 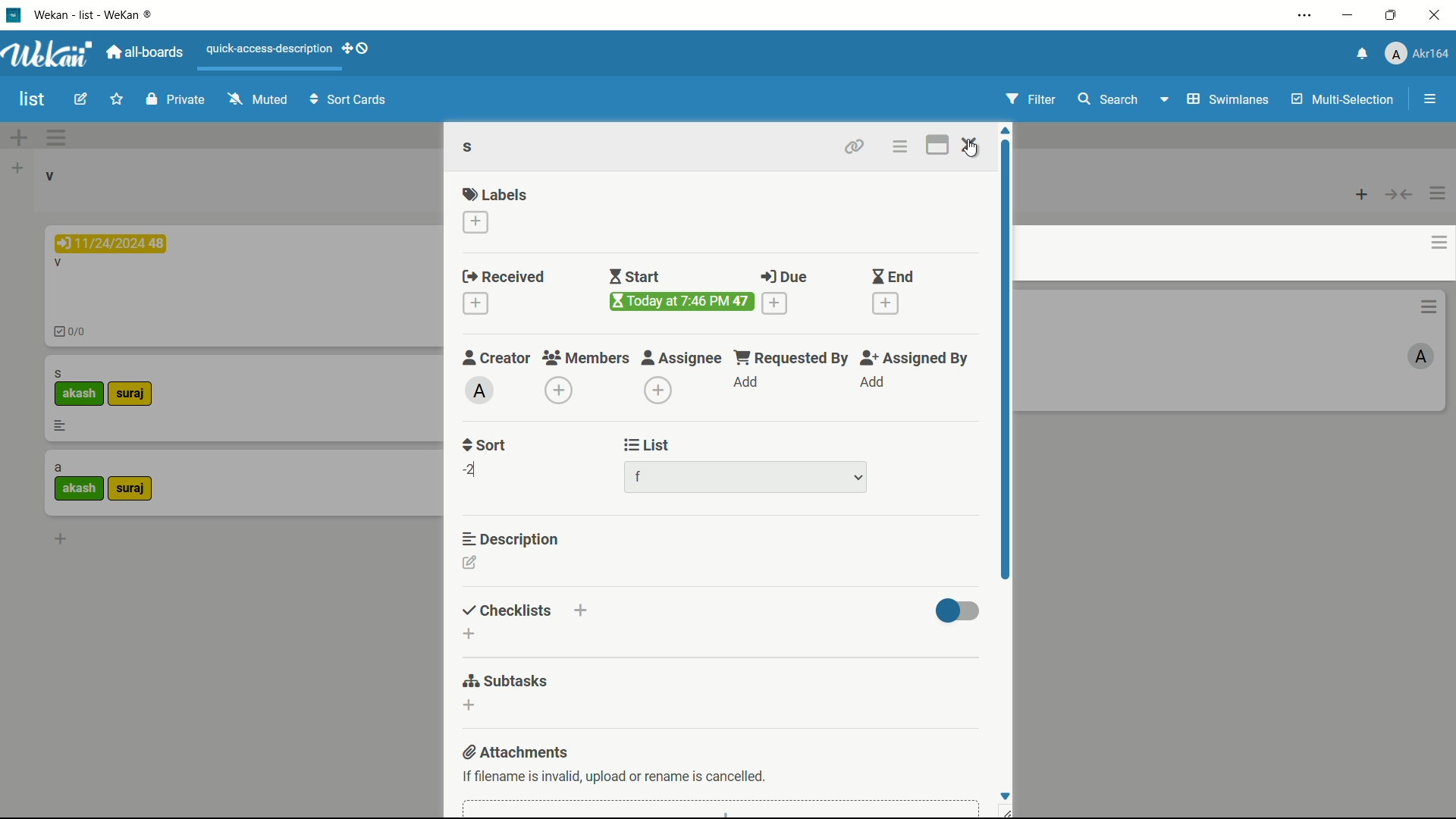 I want to click on checklists, so click(x=507, y=611).